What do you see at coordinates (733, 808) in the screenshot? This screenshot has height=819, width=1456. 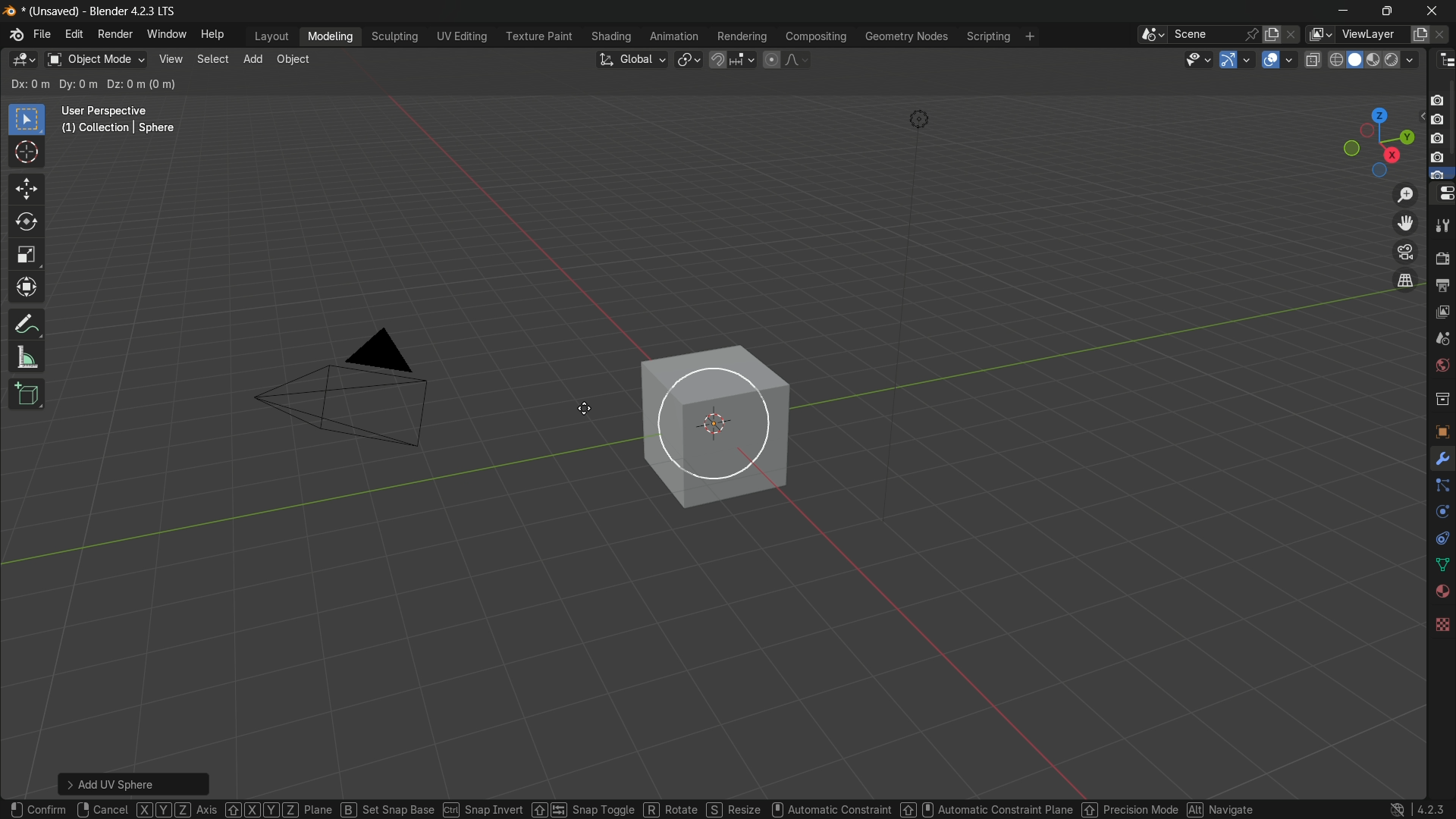 I see `Resize` at bounding box center [733, 808].